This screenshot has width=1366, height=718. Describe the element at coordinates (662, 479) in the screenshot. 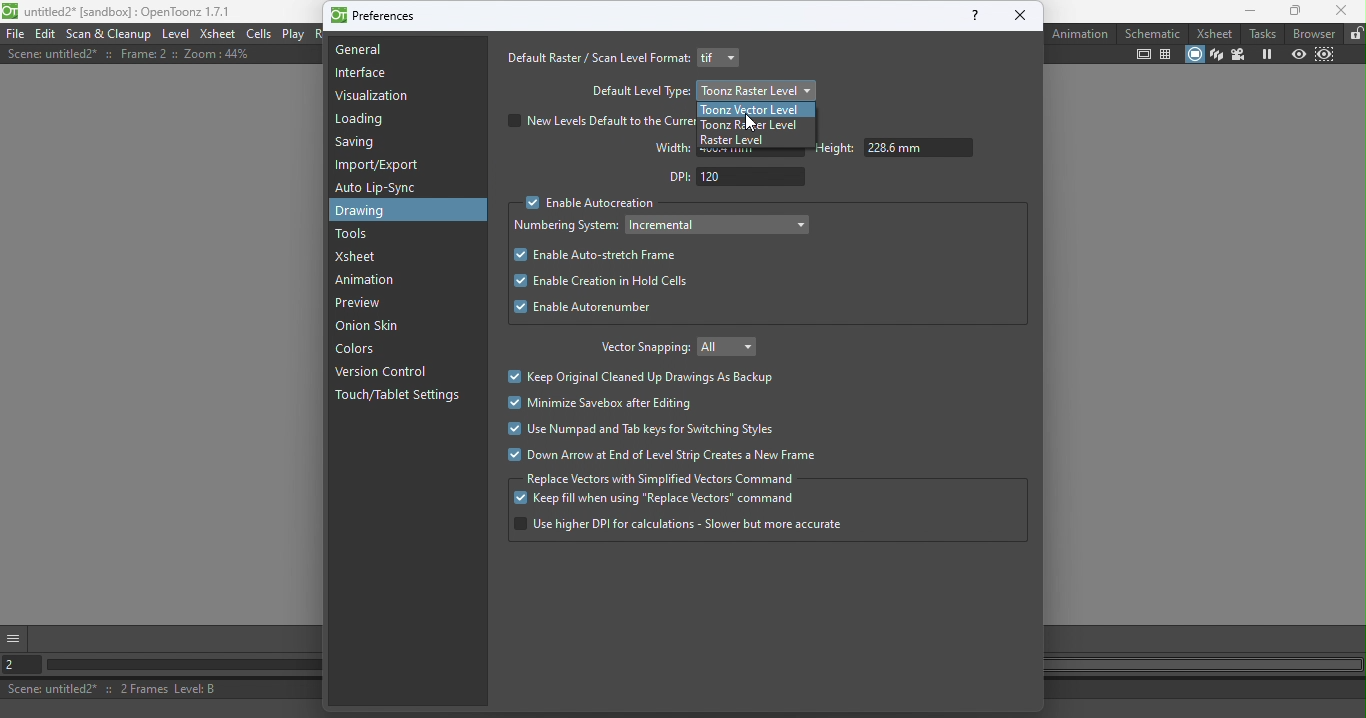

I see `Replace vectors with simplified command` at that location.